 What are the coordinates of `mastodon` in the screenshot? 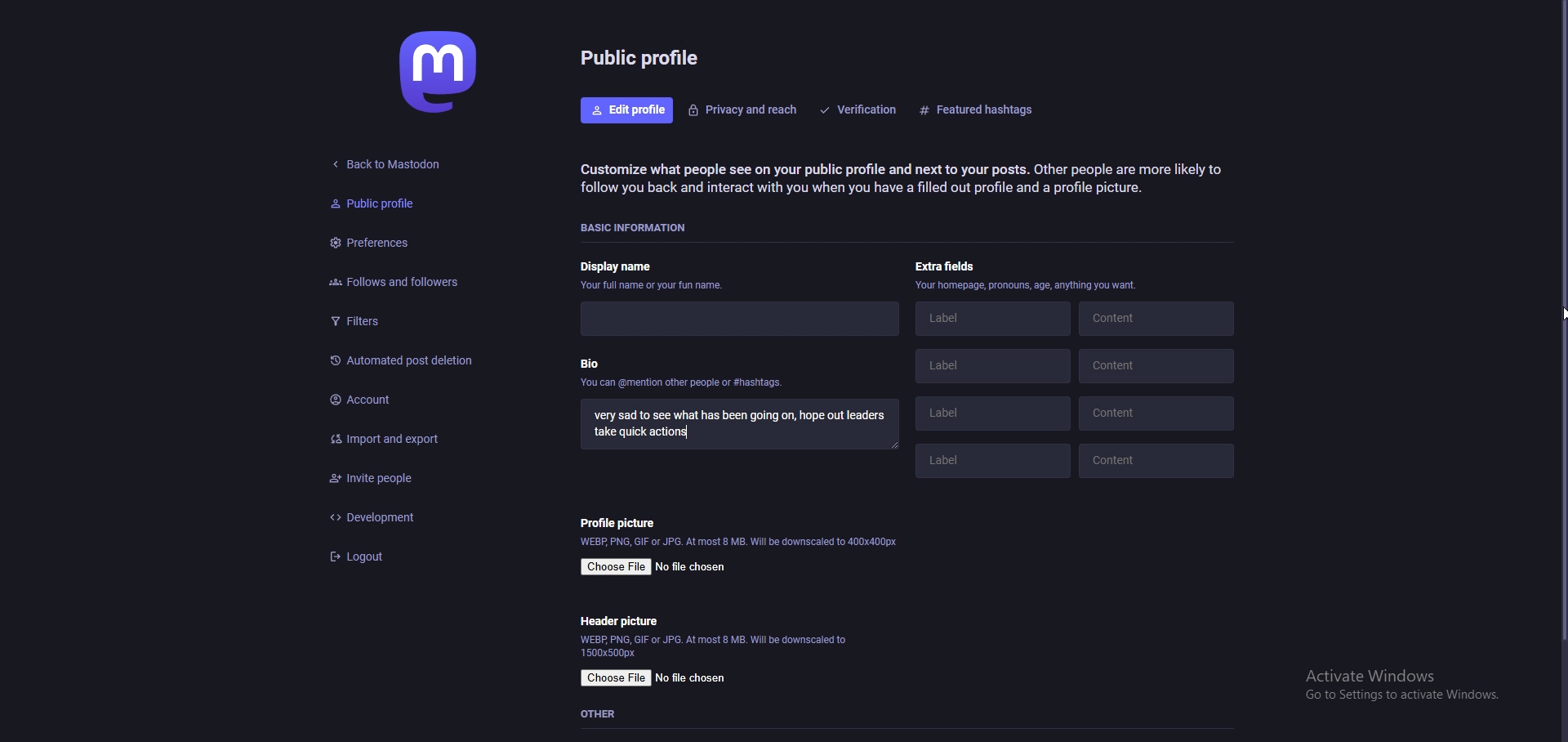 It's located at (442, 71).